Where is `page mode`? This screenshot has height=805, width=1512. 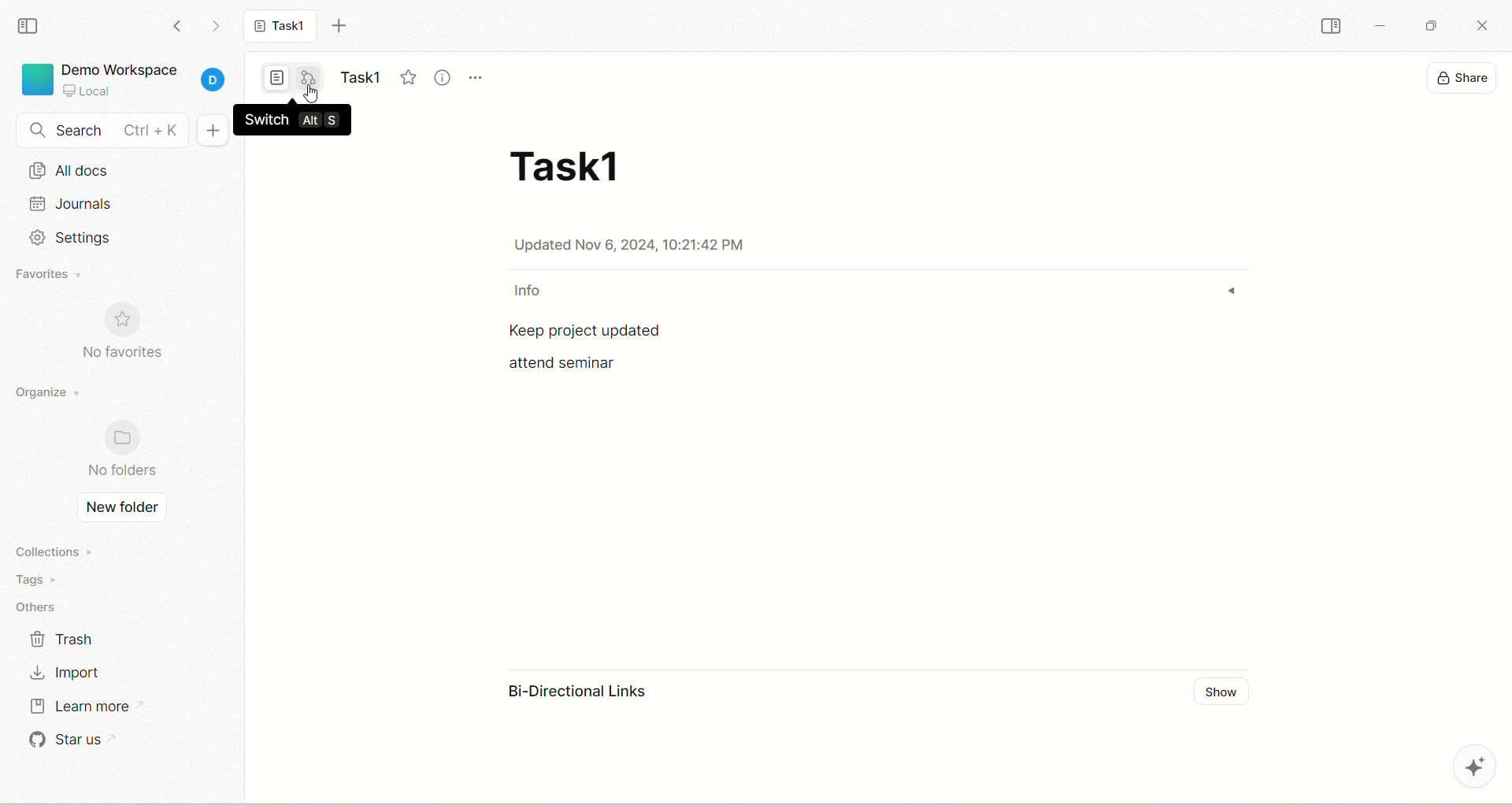
page mode is located at coordinates (277, 76).